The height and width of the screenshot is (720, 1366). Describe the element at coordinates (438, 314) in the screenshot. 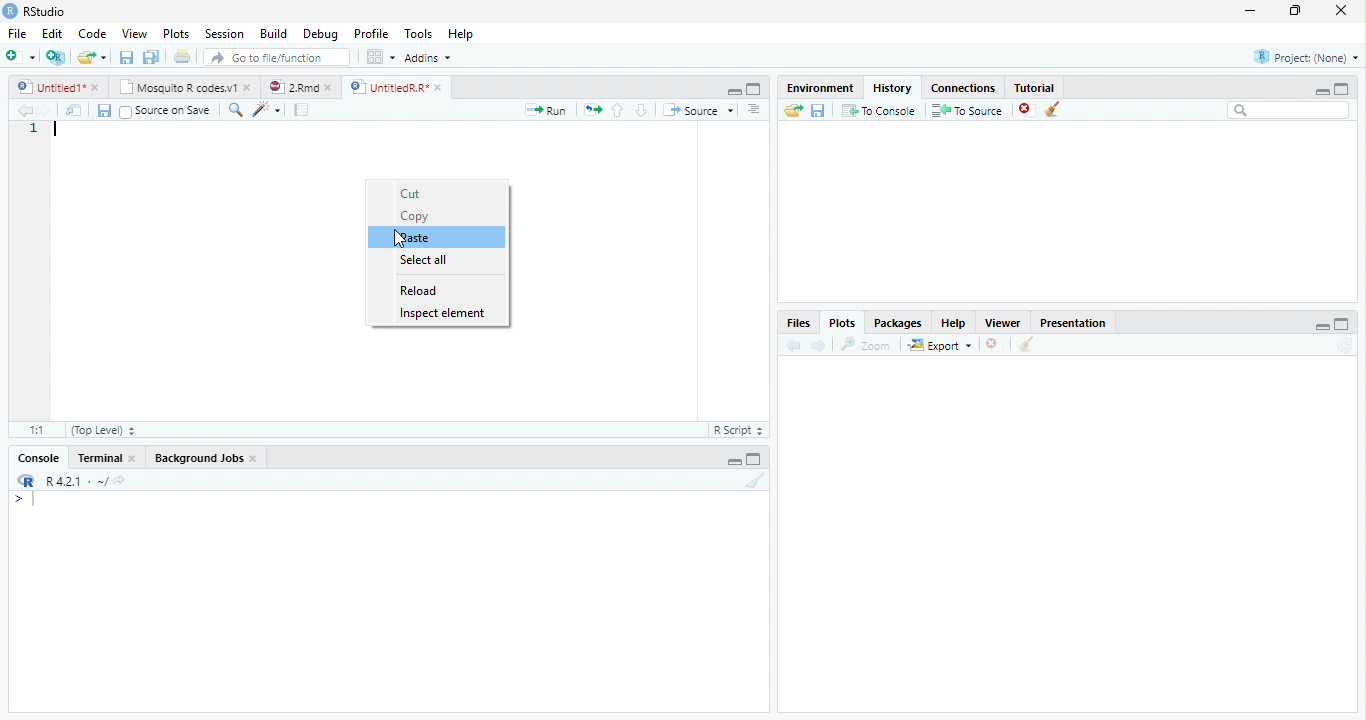

I see `Inspect element` at that location.